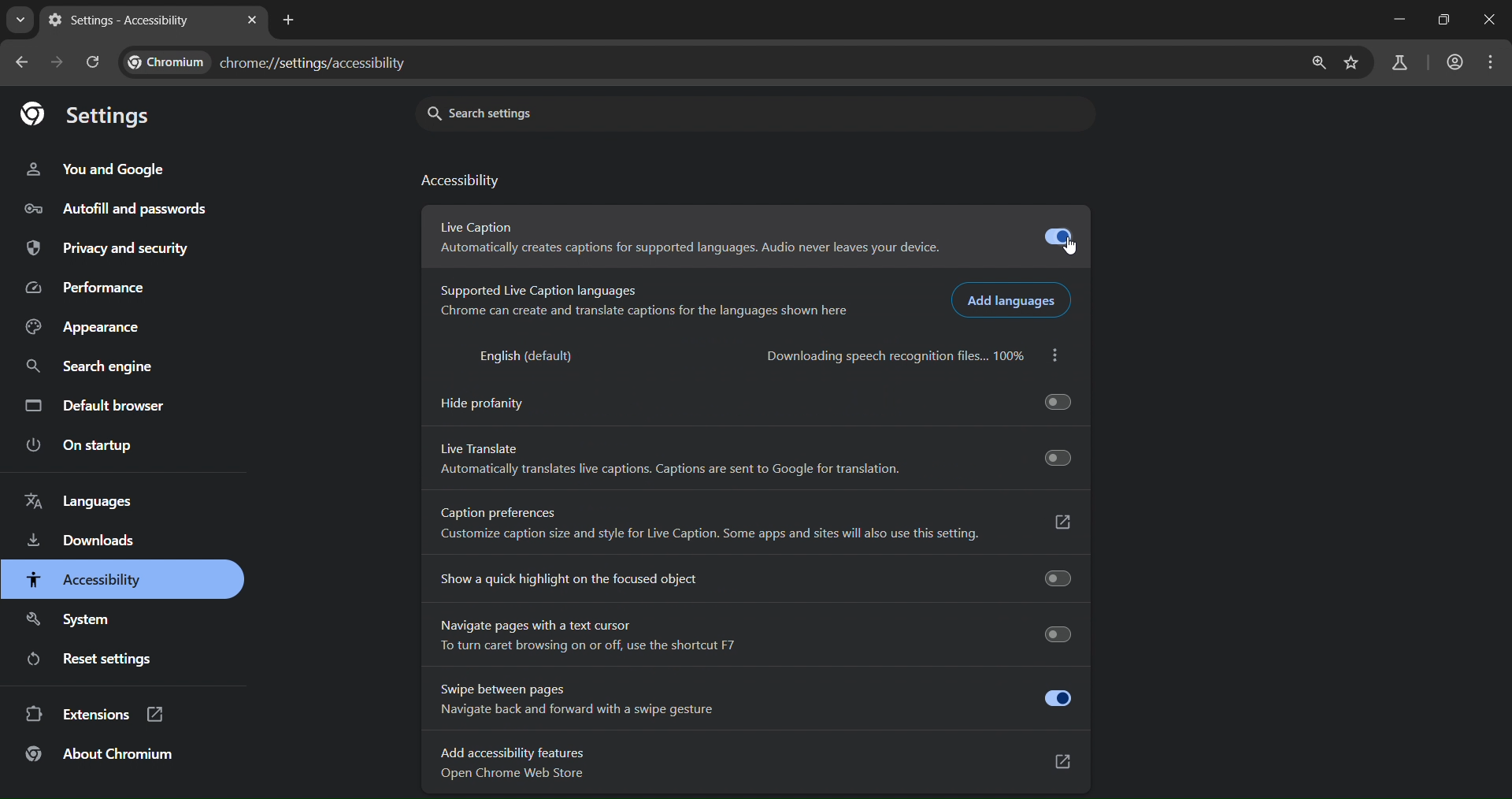  What do you see at coordinates (100, 579) in the screenshot?
I see `accessibility` at bounding box center [100, 579].